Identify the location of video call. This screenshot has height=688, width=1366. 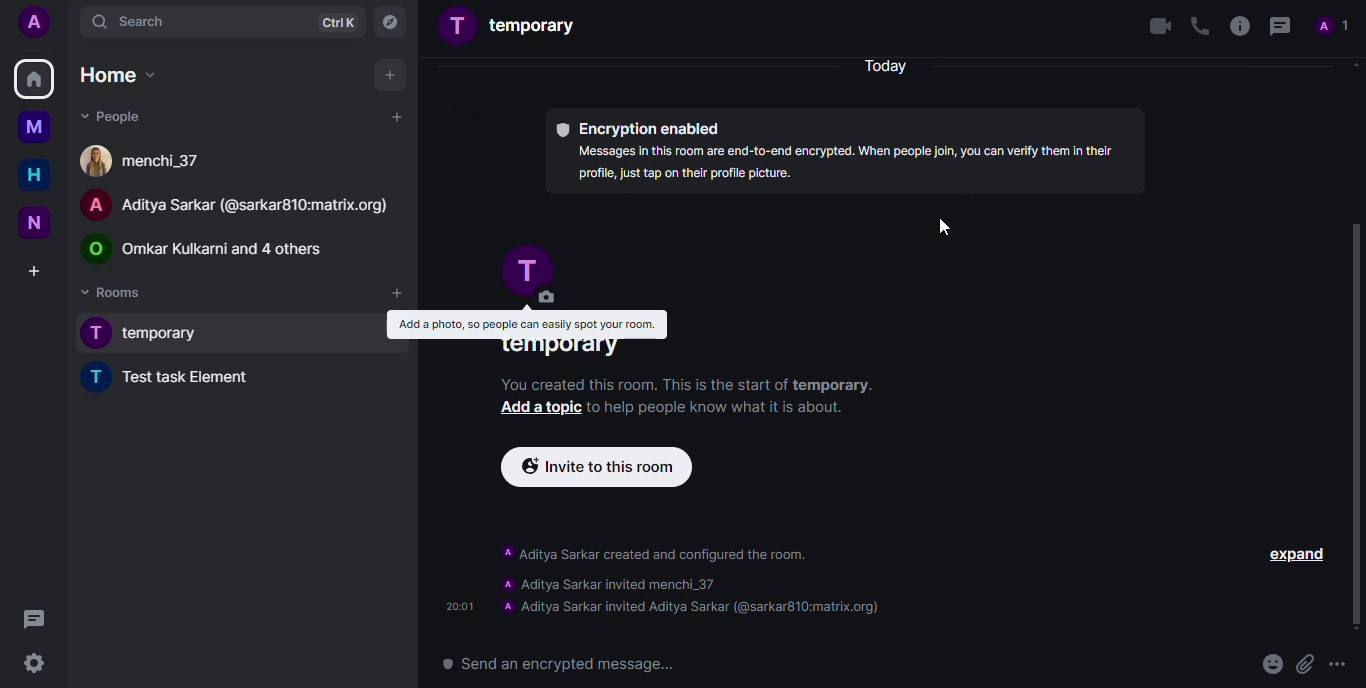
(1150, 27).